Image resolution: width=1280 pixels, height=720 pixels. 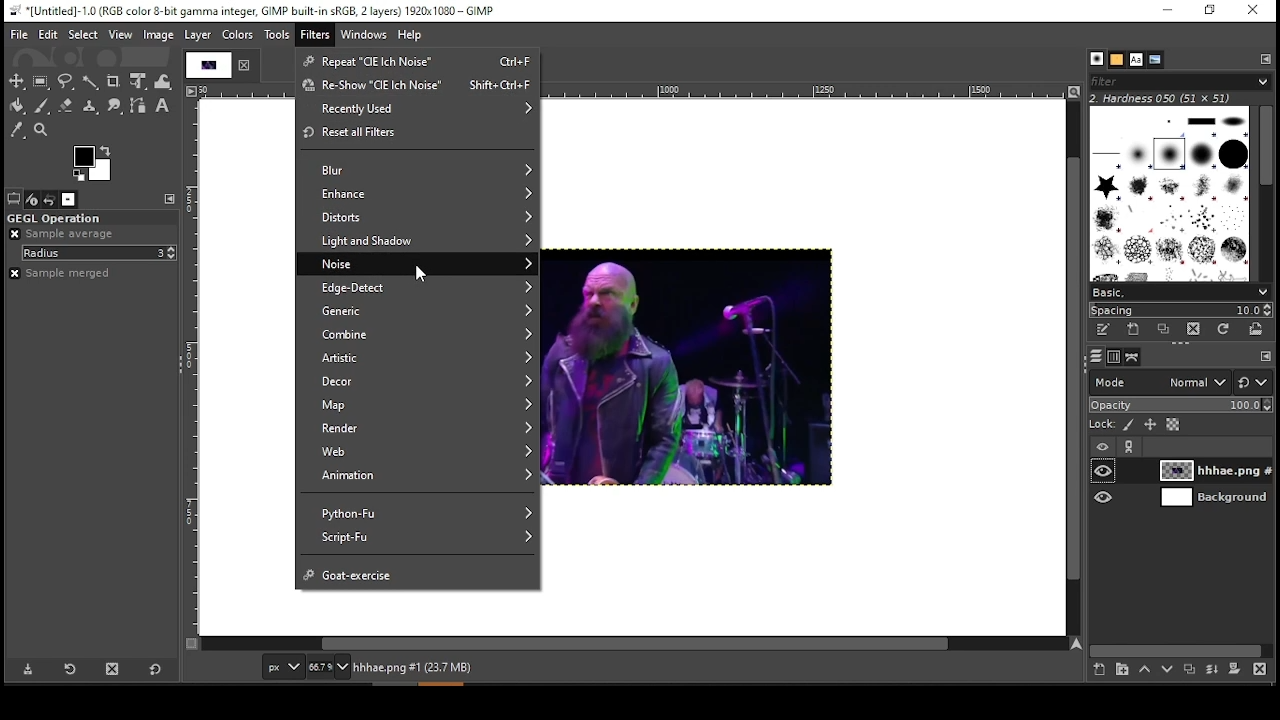 What do you see at coordinates (112, 668) in the screenshot?
I see `delete tool preset` at bounding box center [112, 668].